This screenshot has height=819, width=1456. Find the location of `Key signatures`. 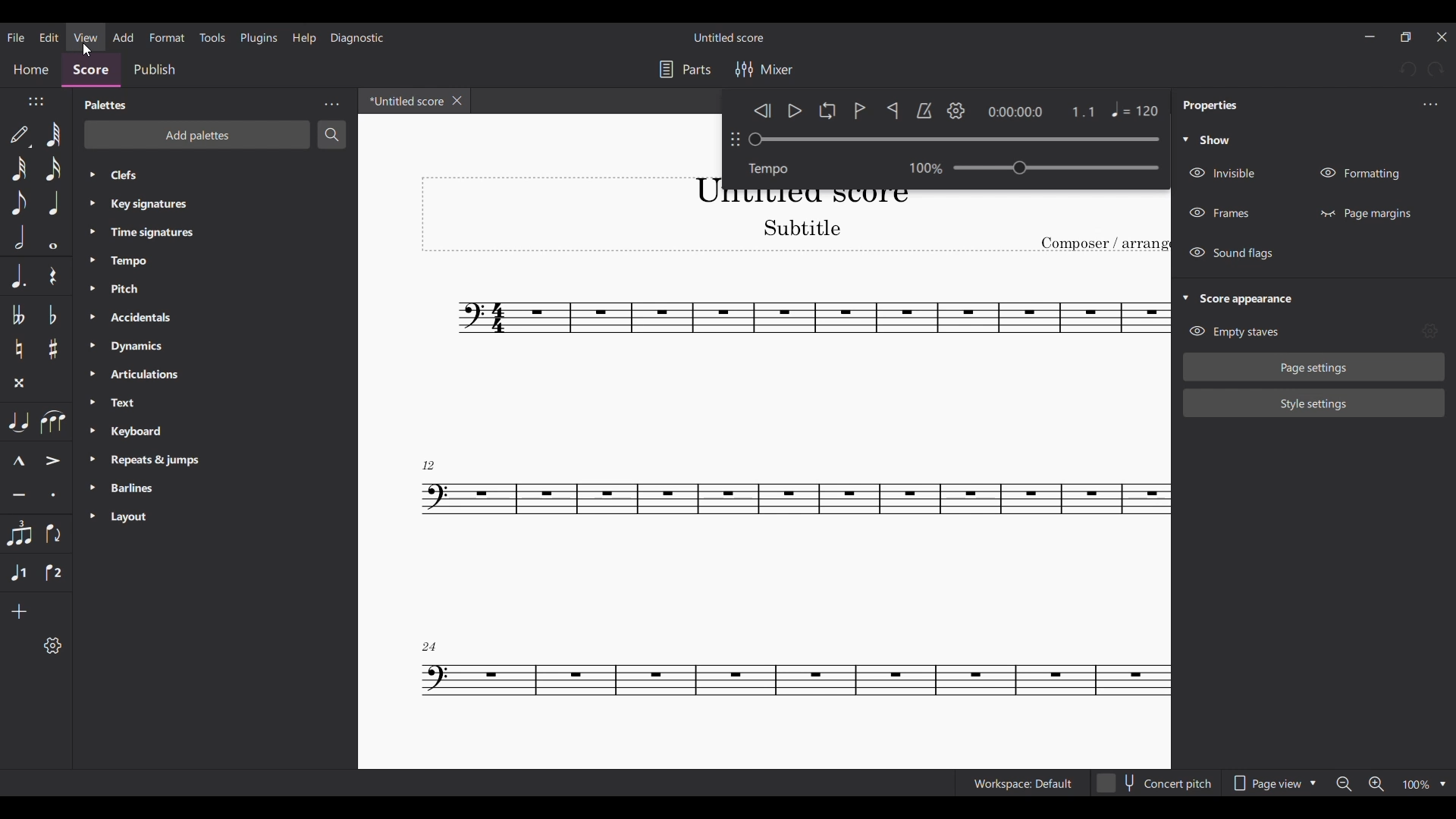

Key signatures is located at coordinates (200, 204).